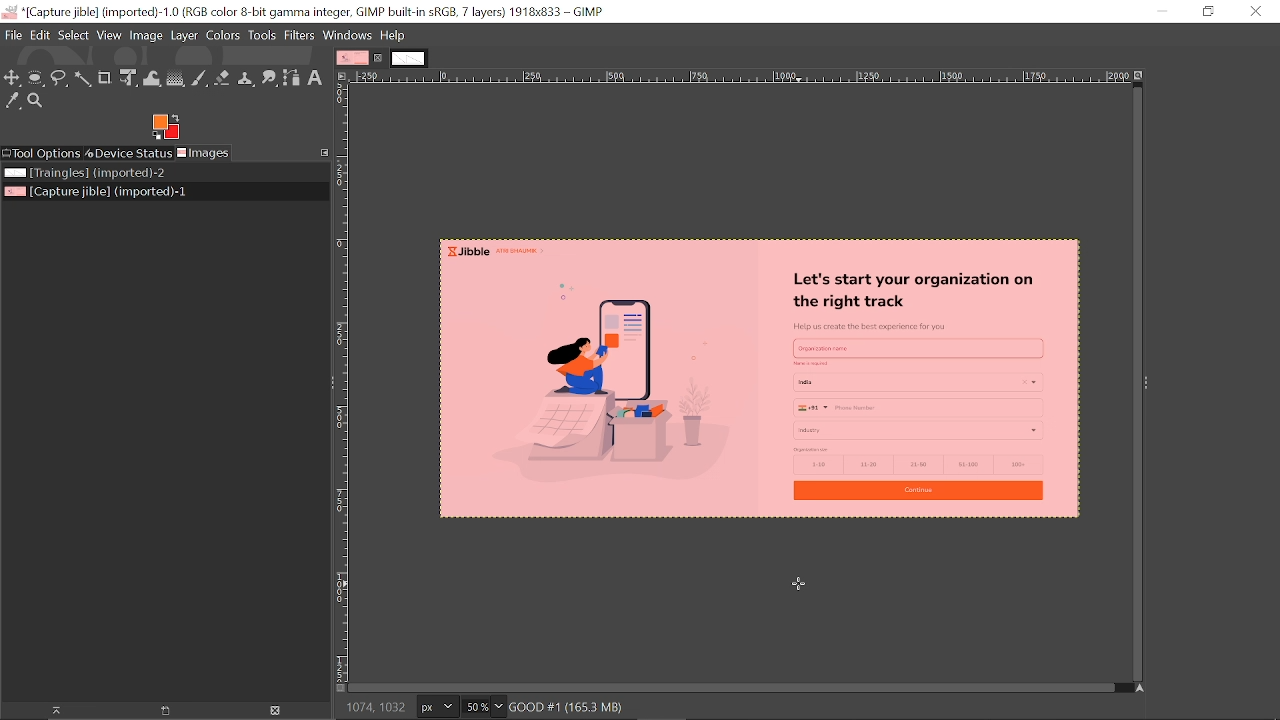 This screenshot has height=720, width=1280. What do you see at coordinates (37, 101) in the screenshot?
I see `Zoom tool` at bounding box center [37, 101].